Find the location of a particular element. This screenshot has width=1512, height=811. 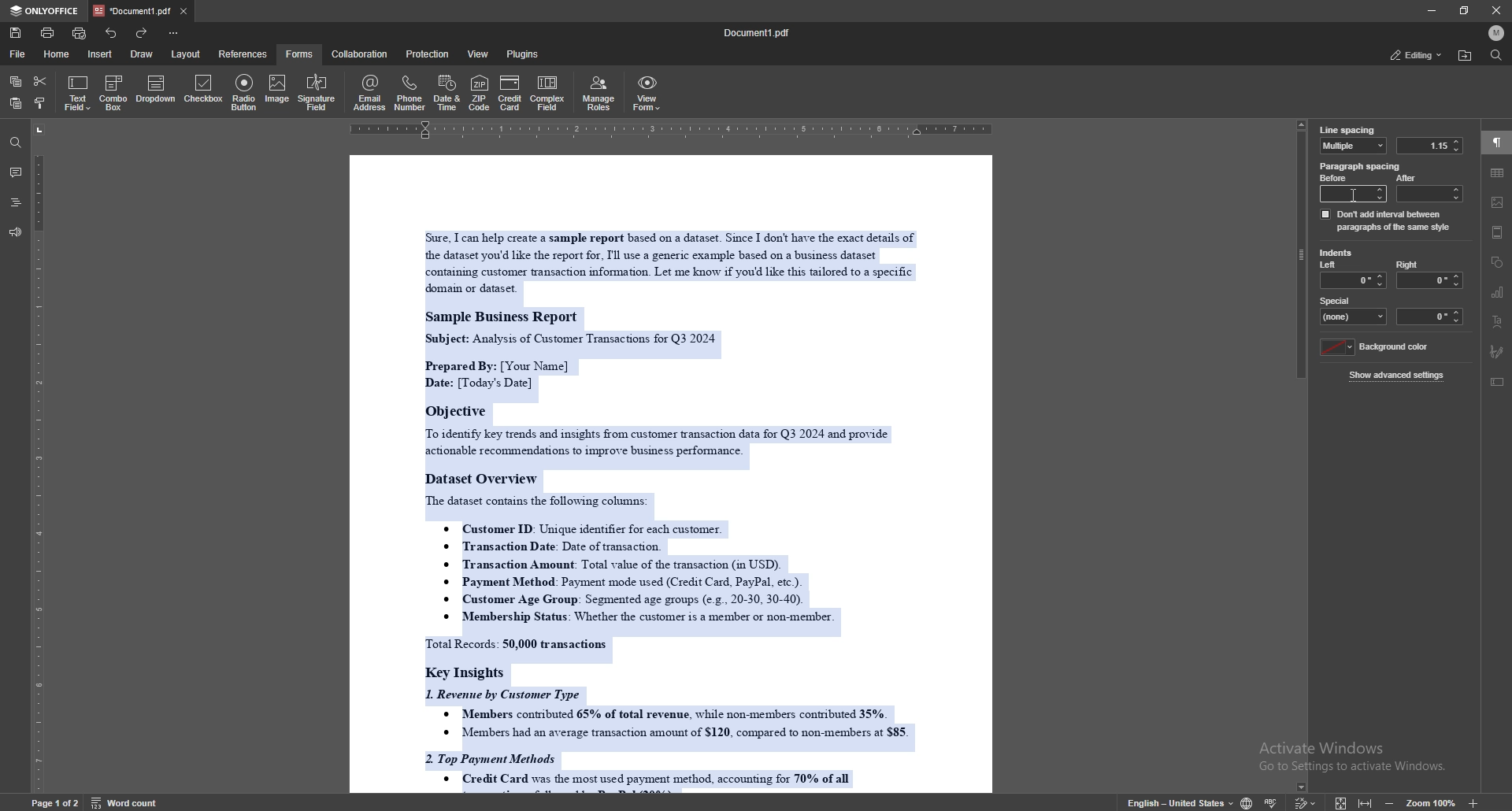

comment is located at coordinates (15, 172).